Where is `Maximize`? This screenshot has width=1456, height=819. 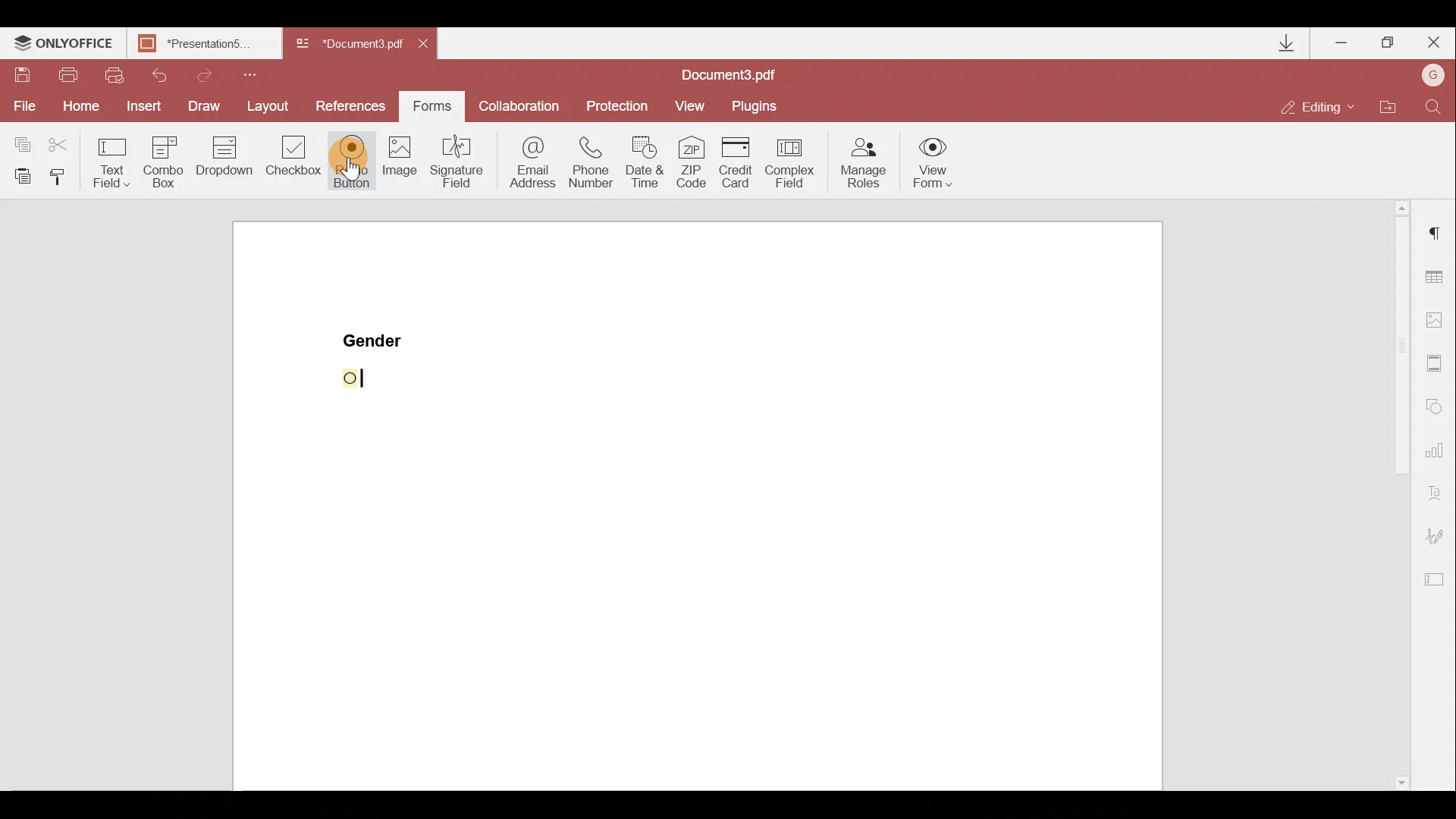 Maximize is located at coordinates (1389, 41).